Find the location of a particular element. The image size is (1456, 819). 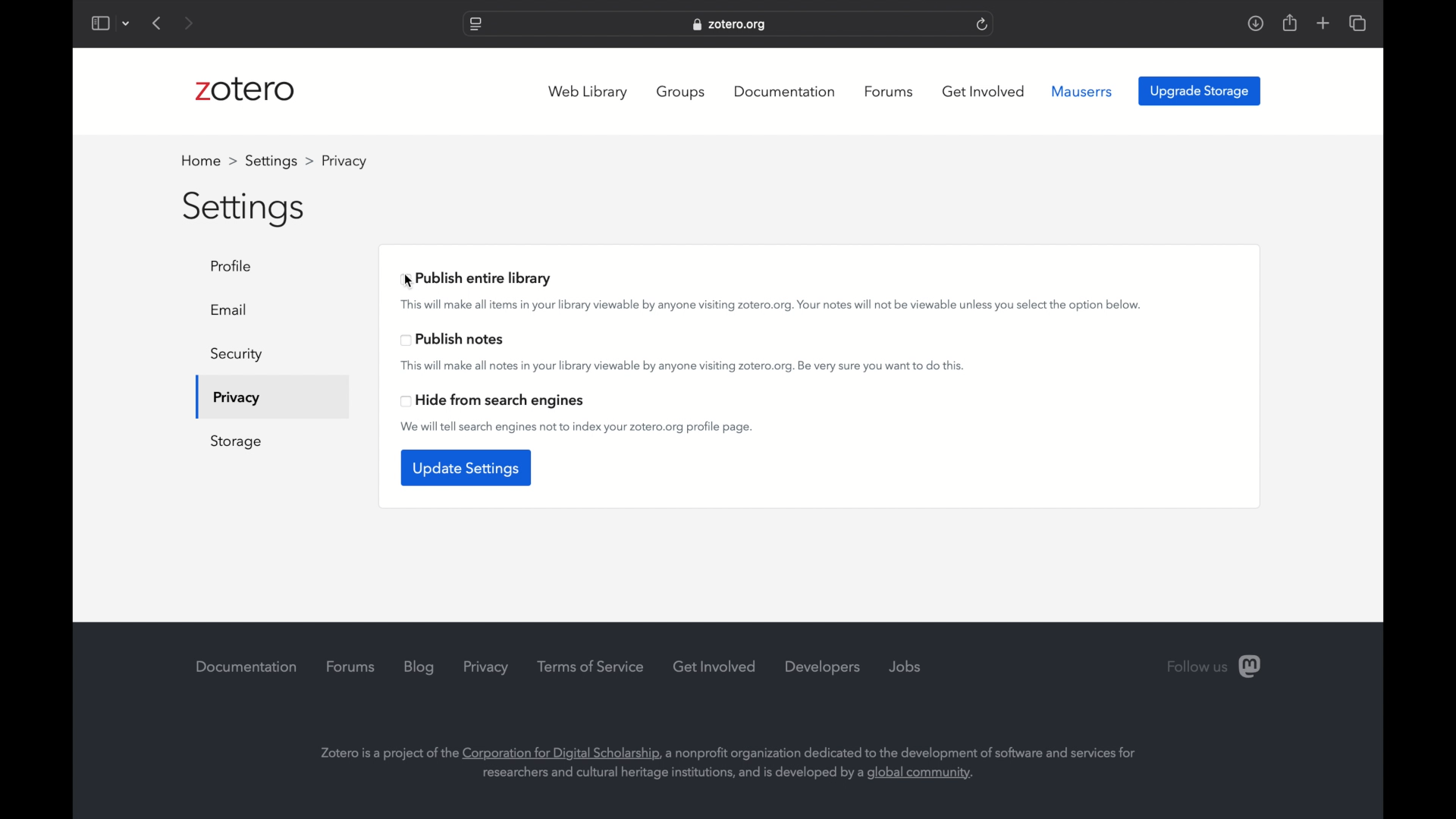

forums is located at coordinates (891, 92).